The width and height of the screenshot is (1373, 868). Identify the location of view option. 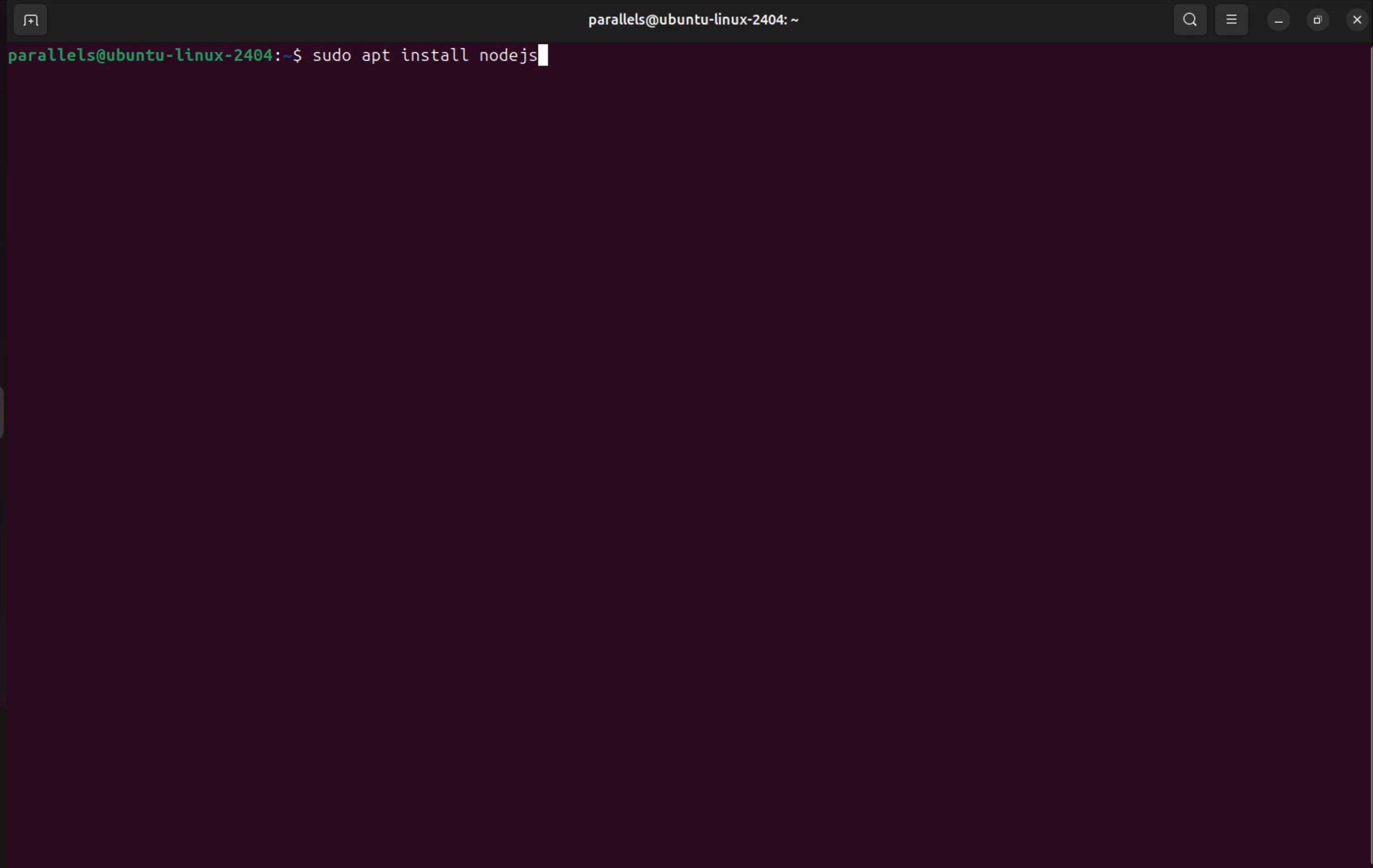
(1234, 19).